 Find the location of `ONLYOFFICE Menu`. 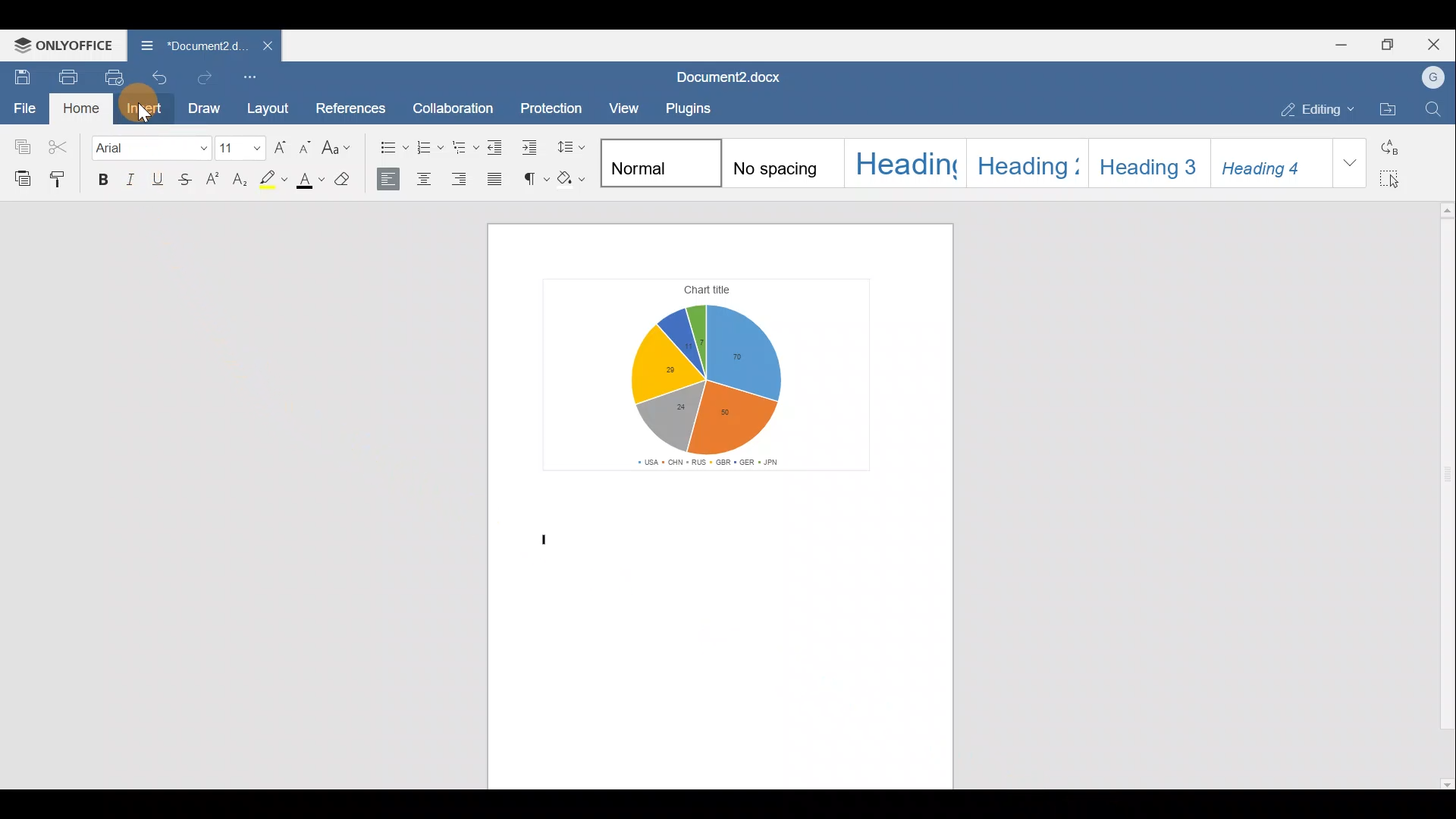

ONLYOFFICE Menu is located at coordinates (62, 45).